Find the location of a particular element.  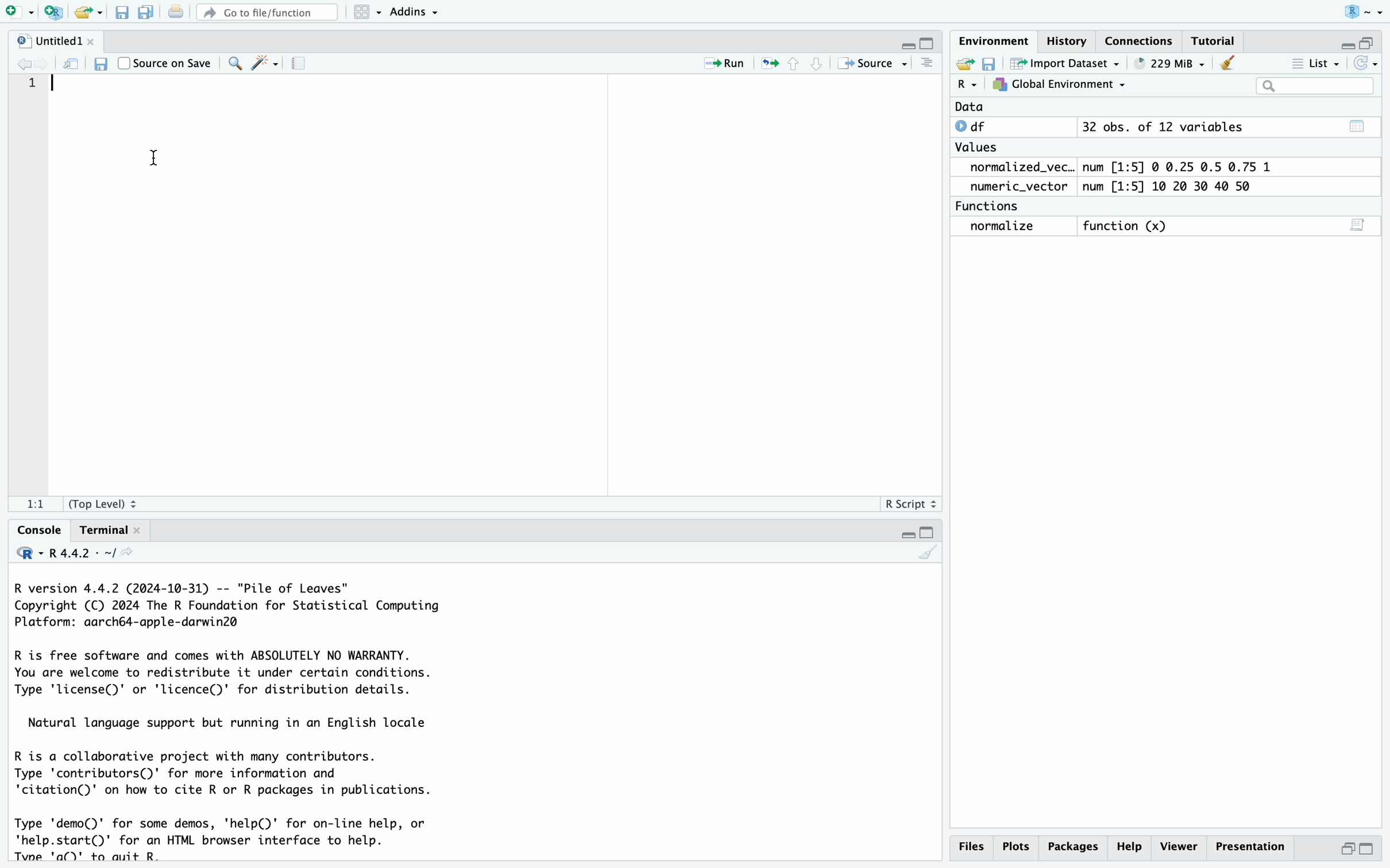

R Script is located at coordinates (908, 506).